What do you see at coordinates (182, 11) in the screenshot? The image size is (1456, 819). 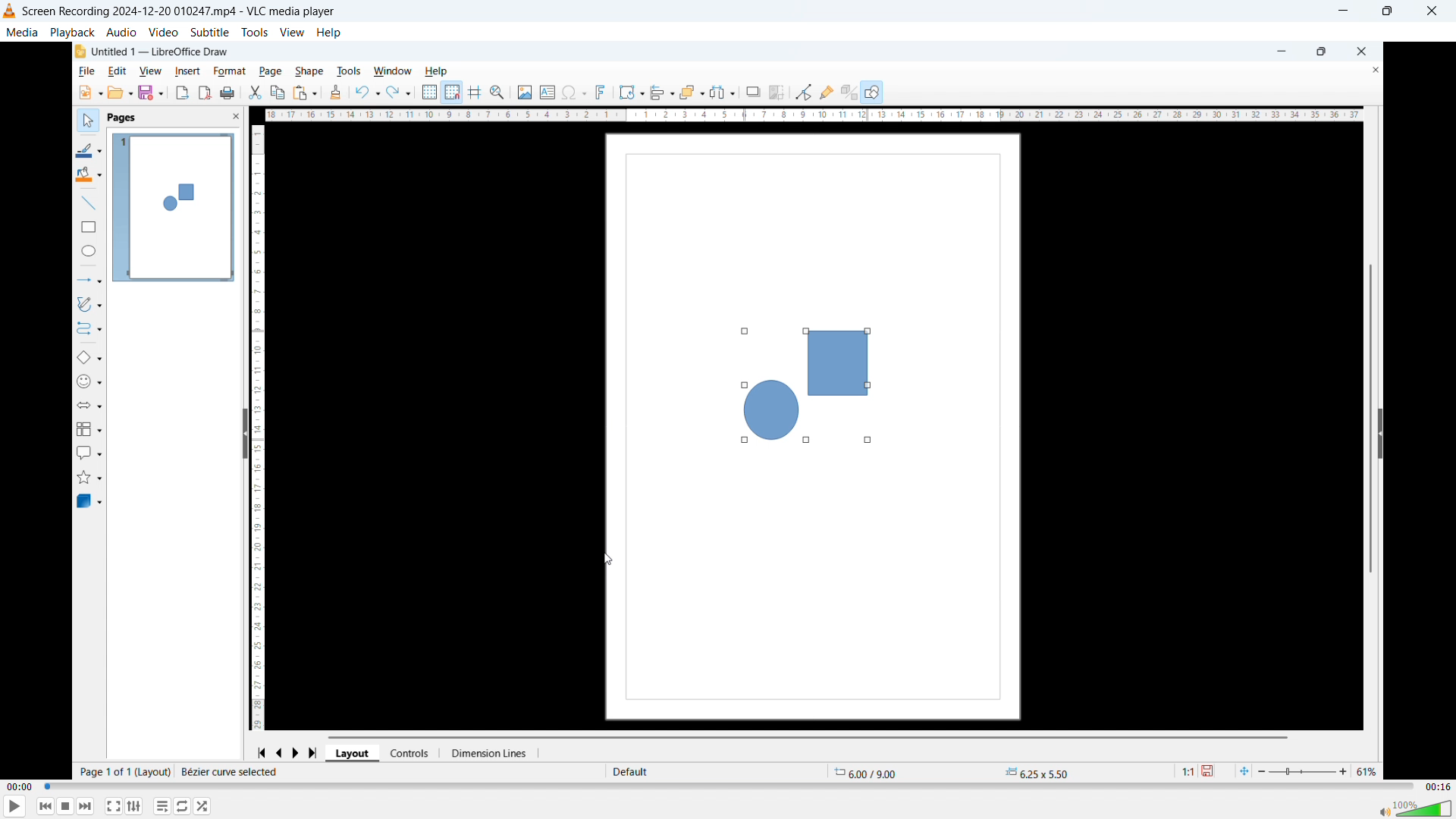 I see `Screen Recording 2024-12-20 010247.mp4 - VLC media player` at bounding box center [182, 11].